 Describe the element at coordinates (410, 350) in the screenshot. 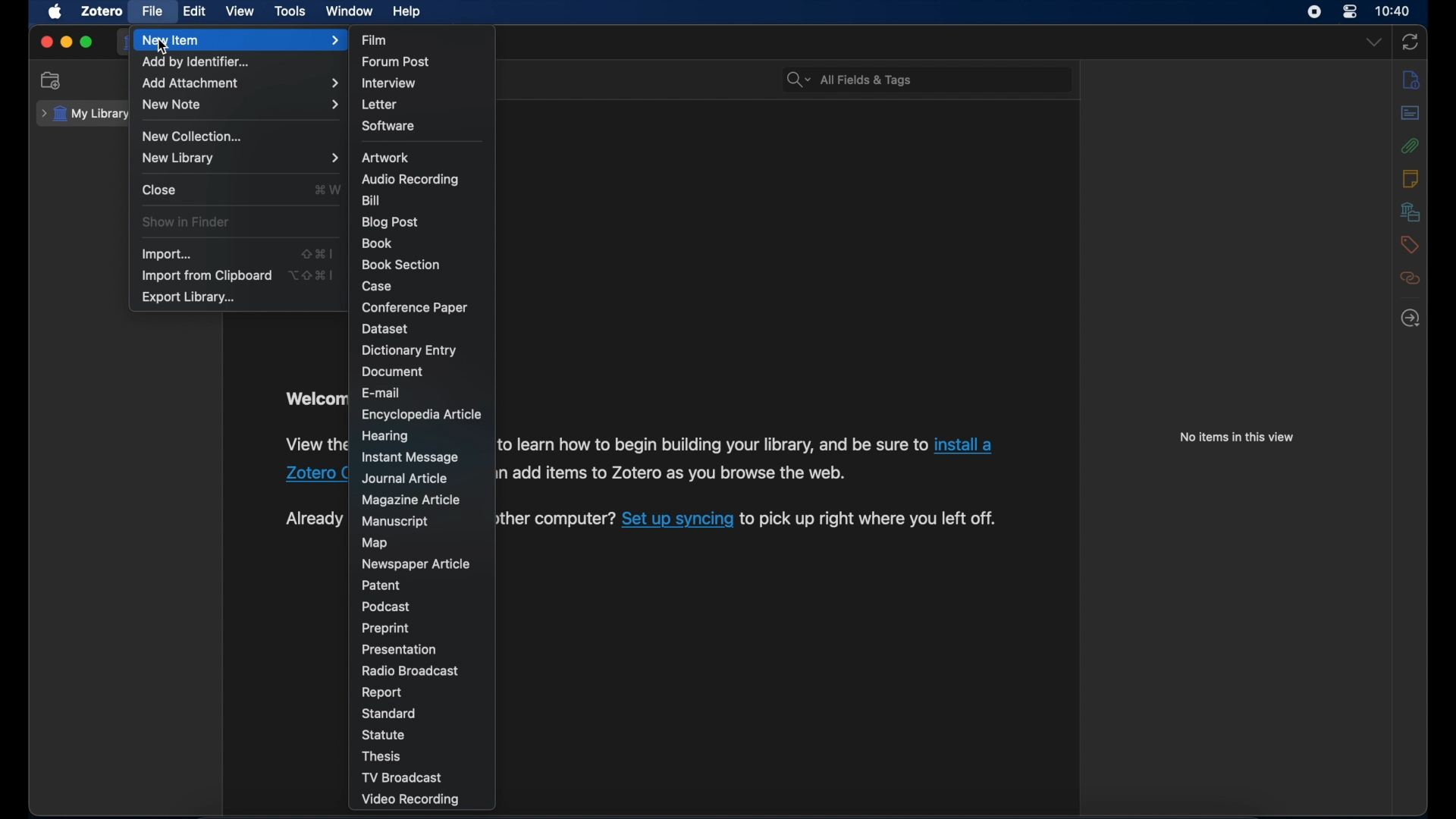

I see `dictionary entry` at that location.